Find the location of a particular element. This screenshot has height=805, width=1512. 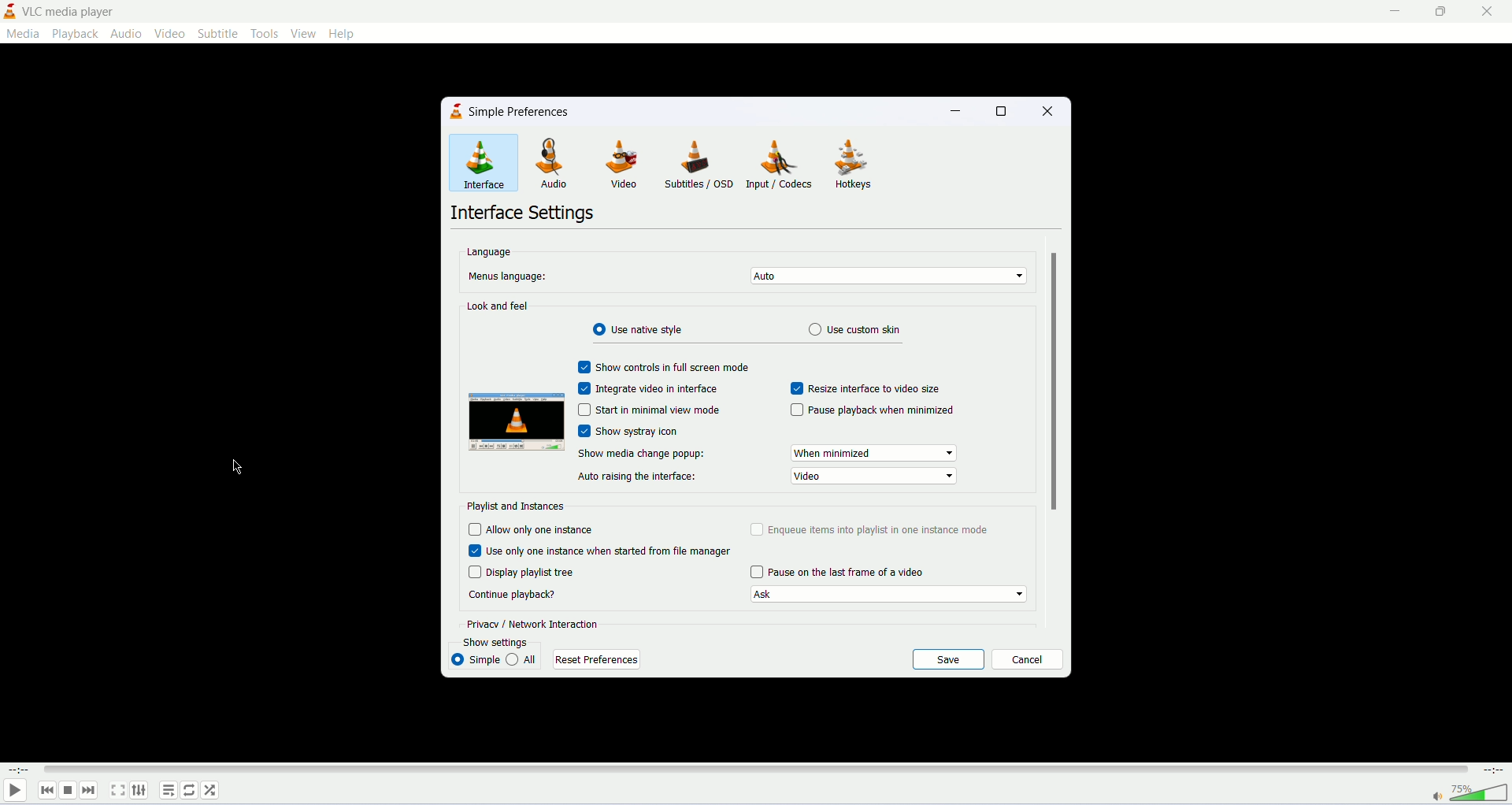

show controls in full screen is located at coordinates (661, 366).